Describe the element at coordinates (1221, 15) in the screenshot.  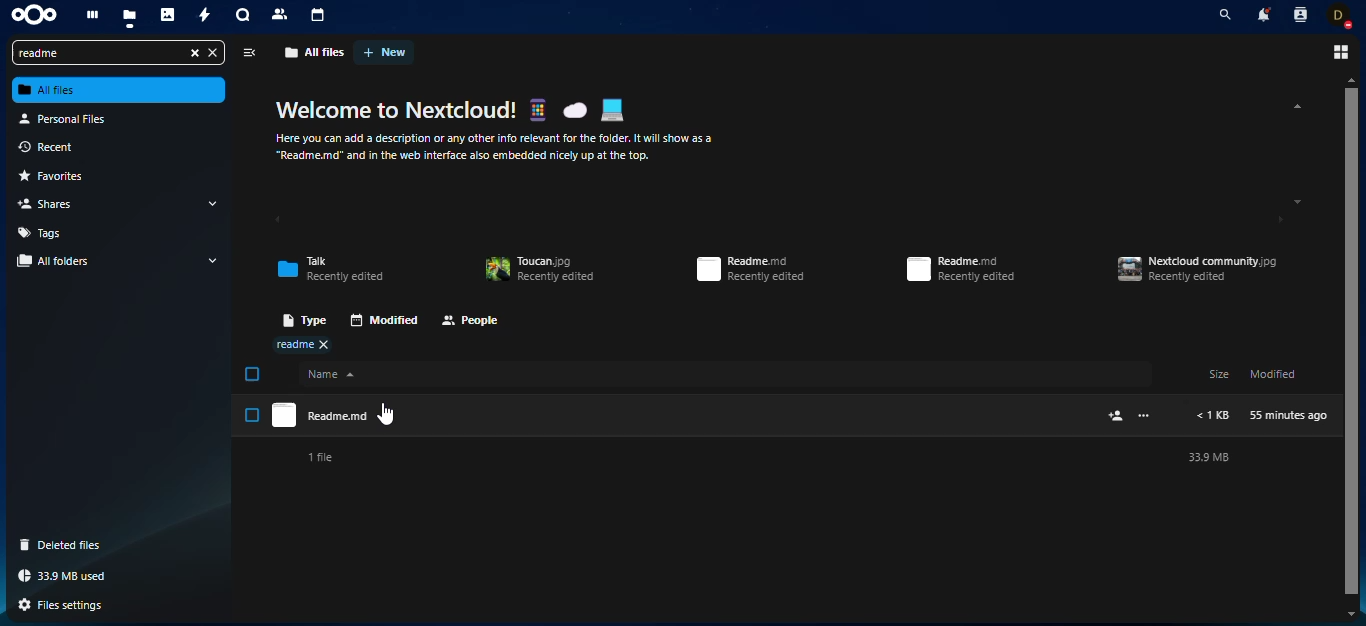
I see `search` at that location.